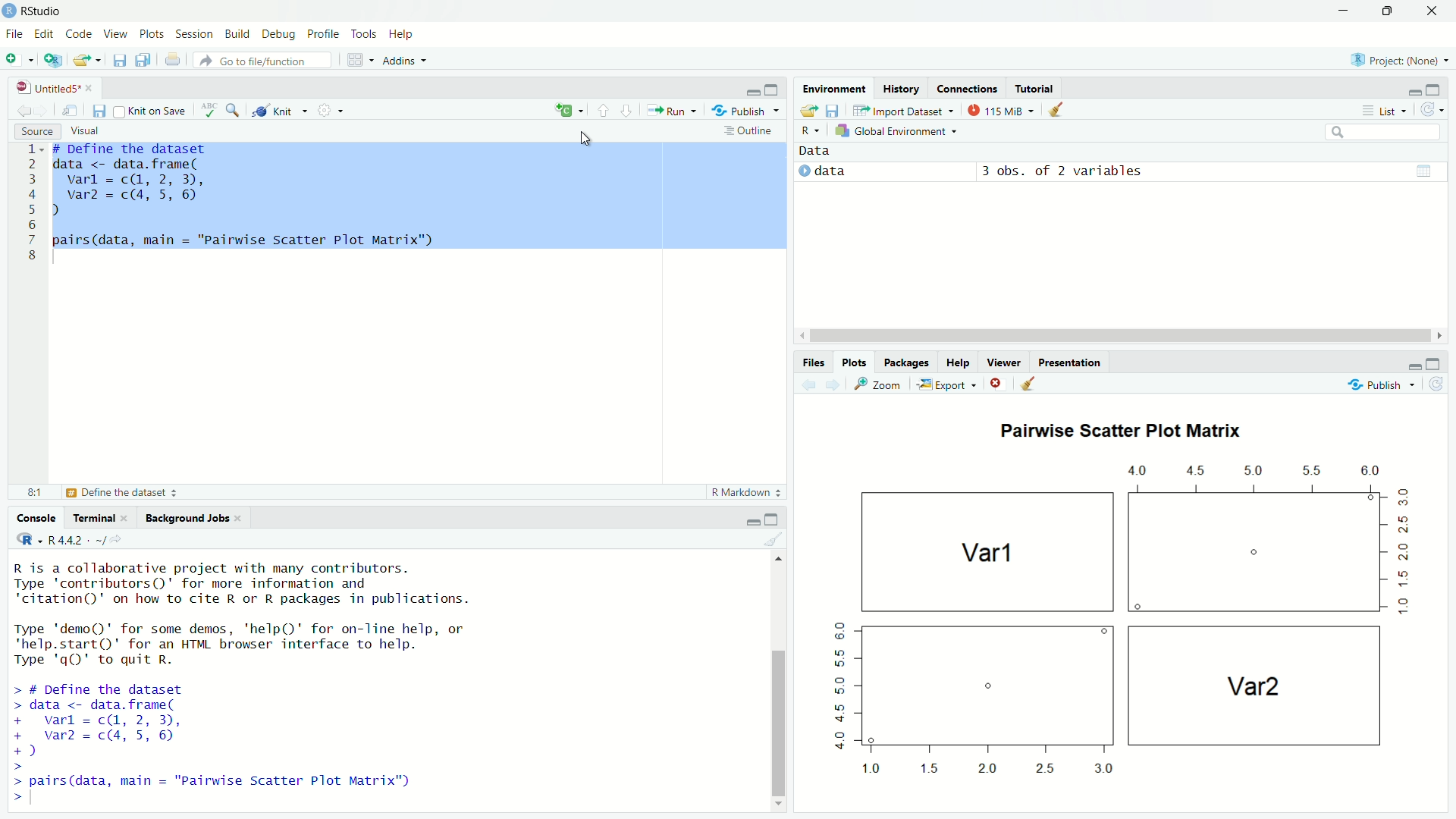 The height and width of the screenshot is (819, 1456). What do you see at coordinates (265, 674) in the screenshot?
I see `Type 'qQ)" to quit R.
>
# Create the dataset
data <- data.frame(
varl = c(, 2, 3),
var2 = c(4, 5, 6)
)
# Generate the pairwise scatter plot matrix
pairs(data, main = "Pairwise Scatter Plot Matrix")
# Define the dataset
data <- data.frame(
varl = cQ, 2, 3),
var2 = c(4, 5, 6)
2` at bounding box center [265, 674].